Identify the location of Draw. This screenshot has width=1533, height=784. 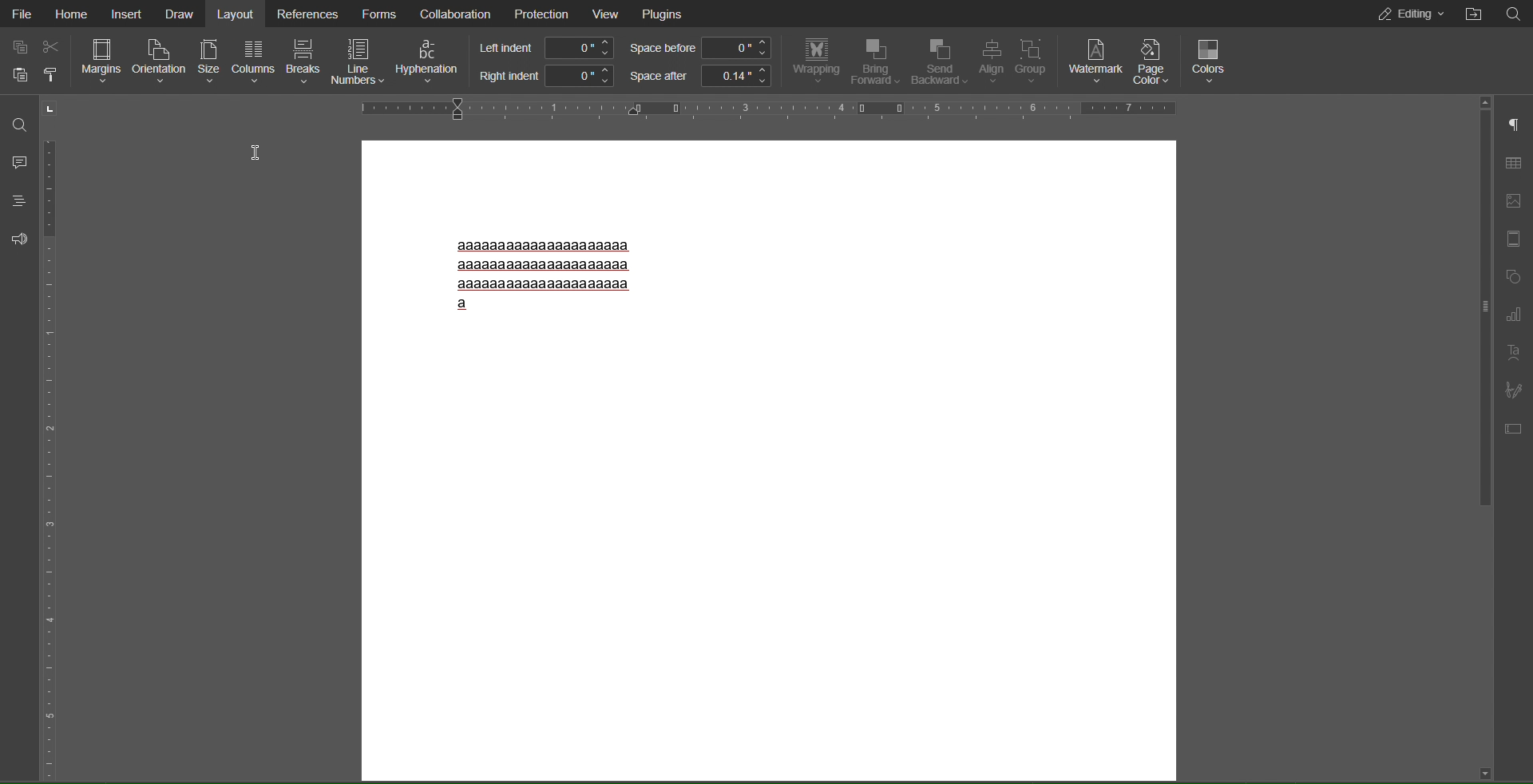
(180, 14).